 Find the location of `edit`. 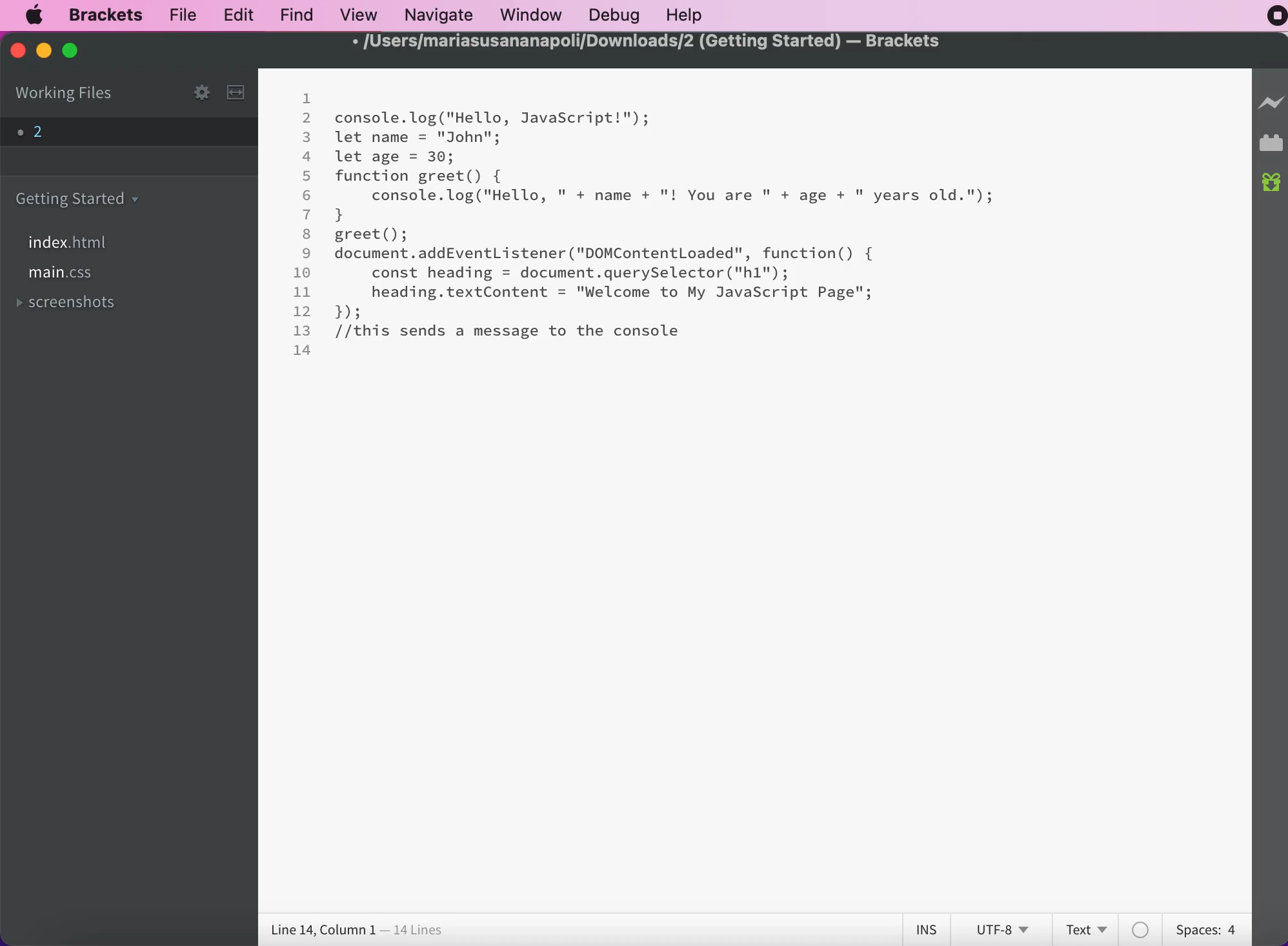

edit is located at coordinates (237, 15).